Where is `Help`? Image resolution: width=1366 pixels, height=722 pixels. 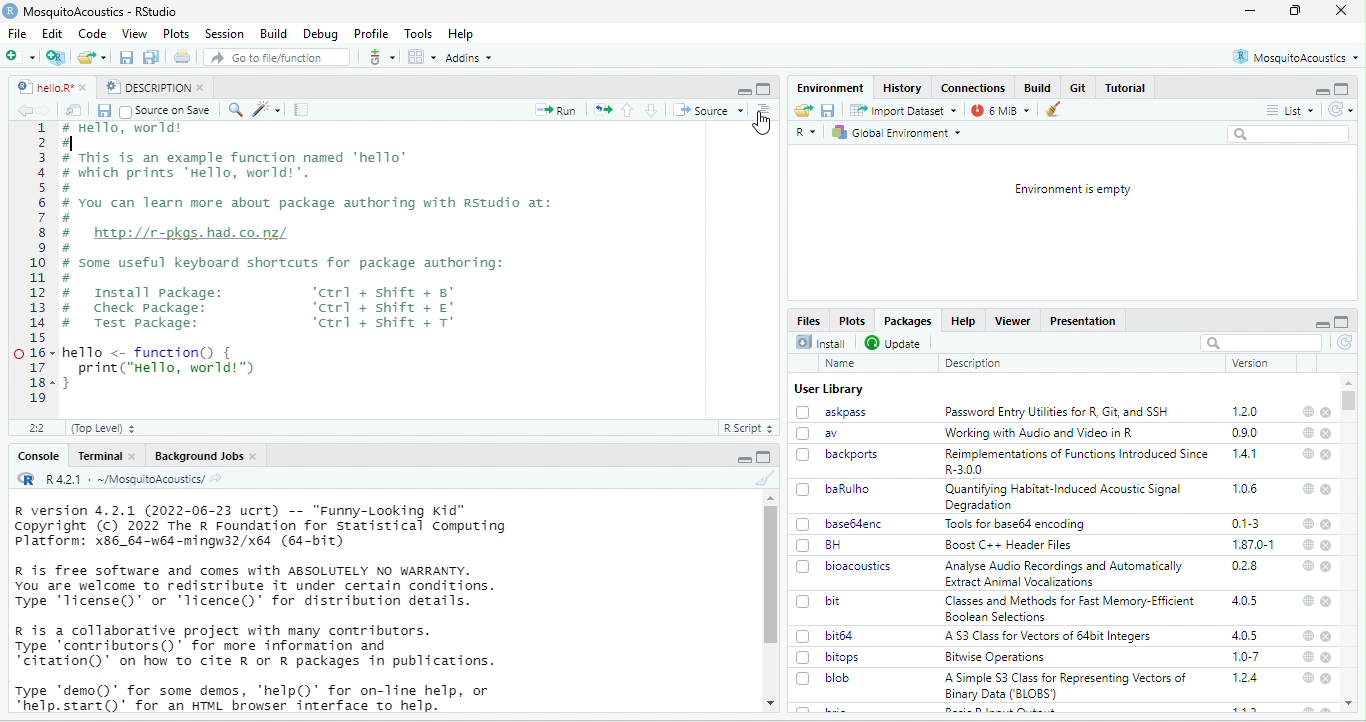 Help is located at coordinates (966, 322).